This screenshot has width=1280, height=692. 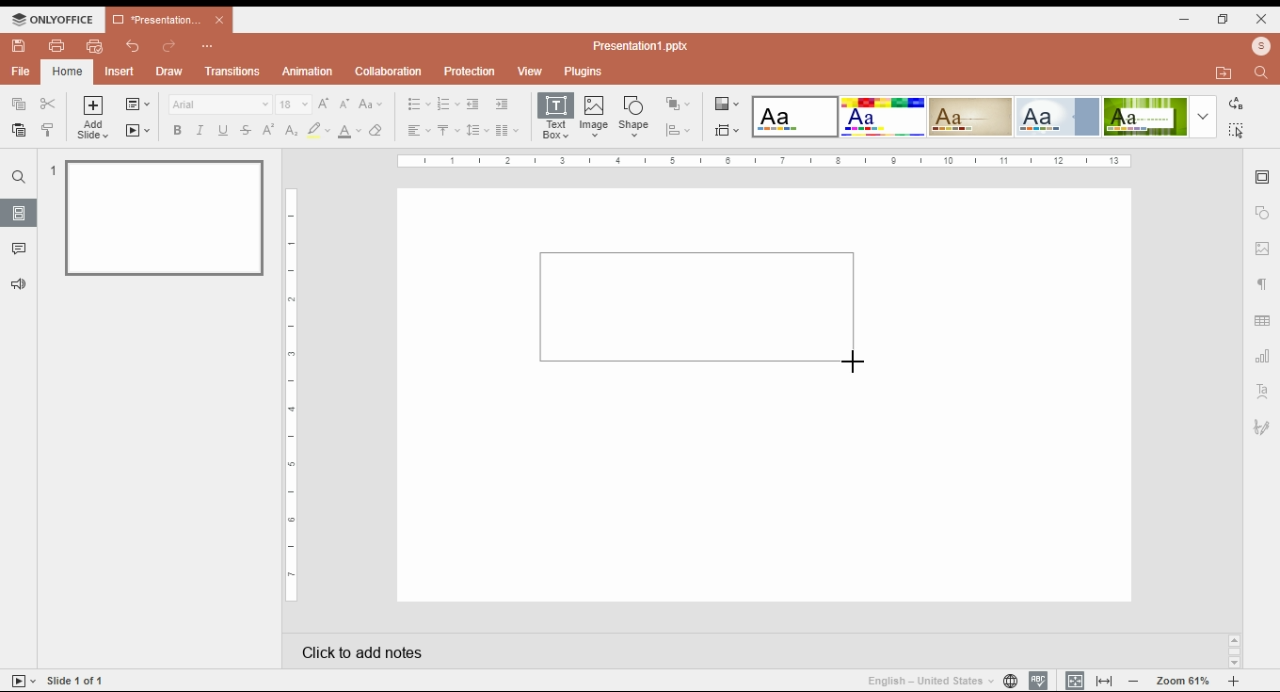 I want to click on increment font size, so click(x=325, y=102).